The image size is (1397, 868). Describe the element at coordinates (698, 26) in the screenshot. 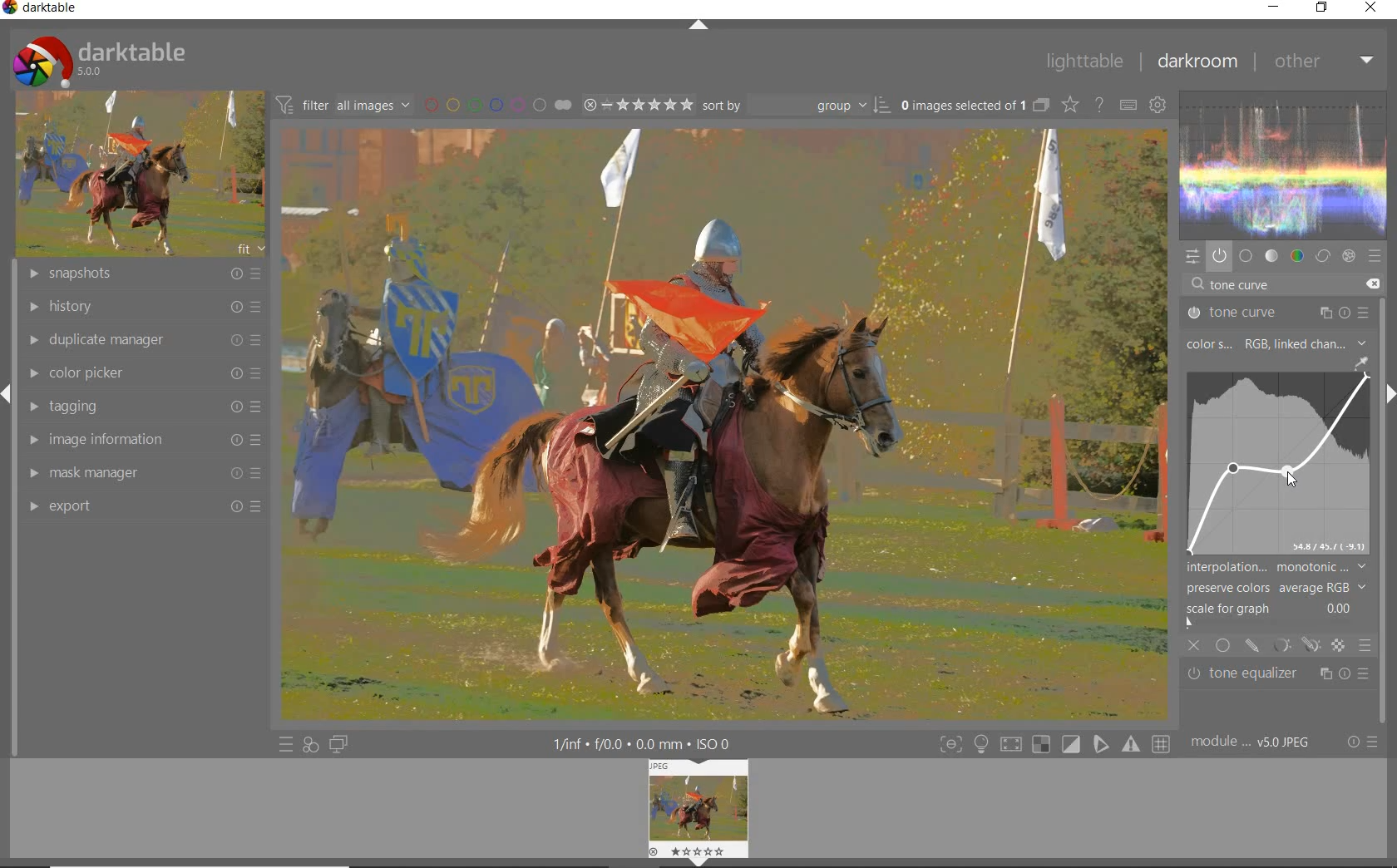

I see `expand/collapse` at that location.